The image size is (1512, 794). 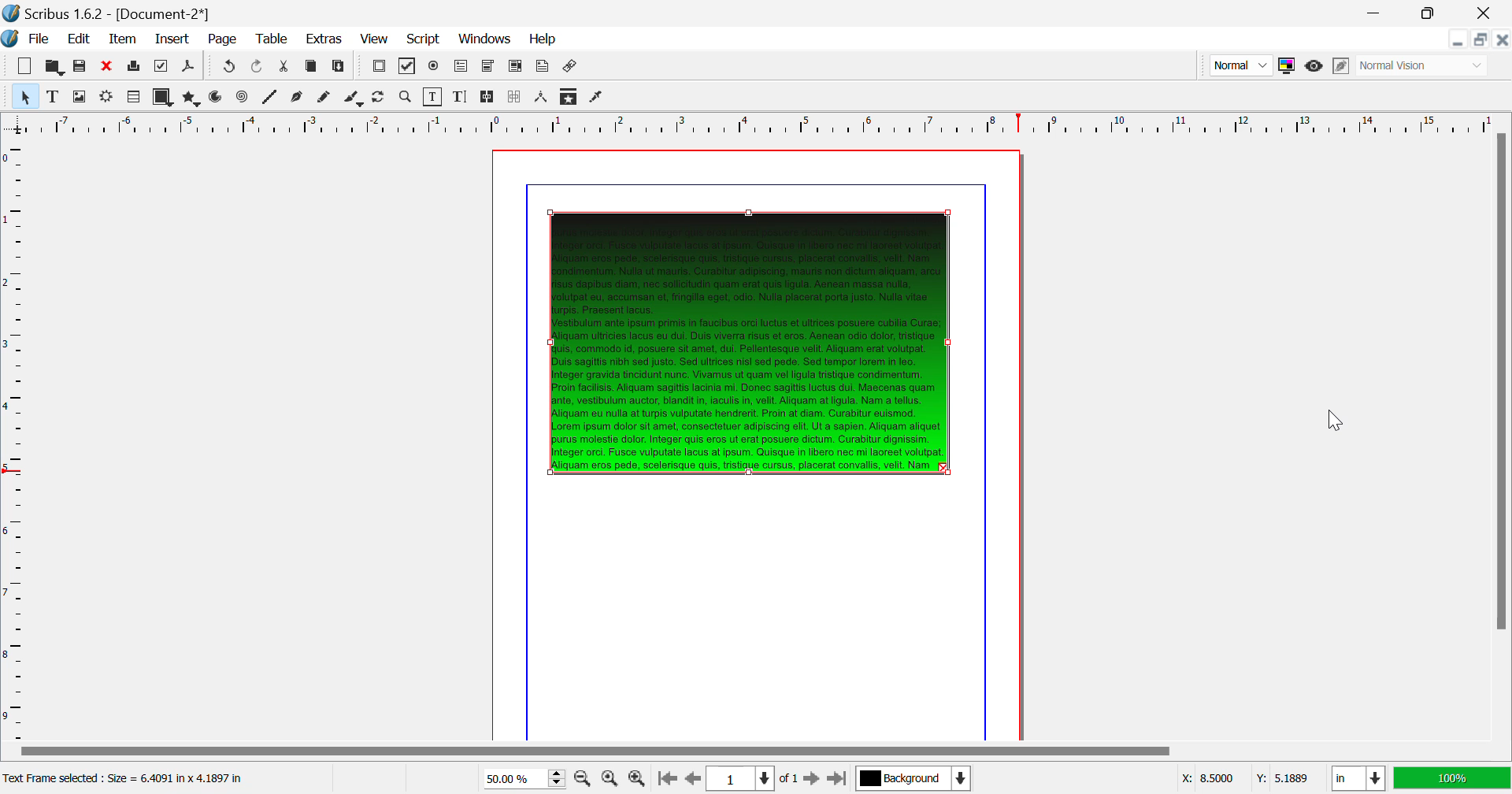 I want to click on Measurements, so click(x=543, y=98).